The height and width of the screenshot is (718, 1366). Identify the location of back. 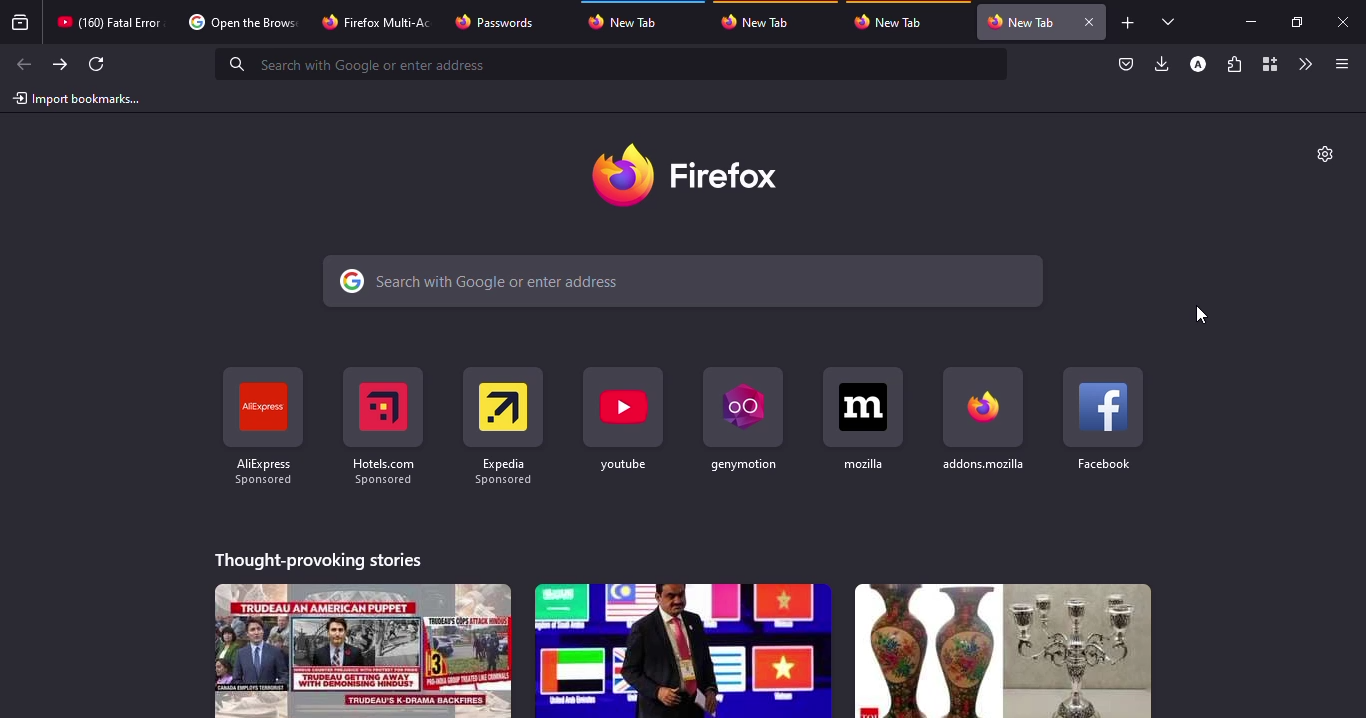
(23, 64).